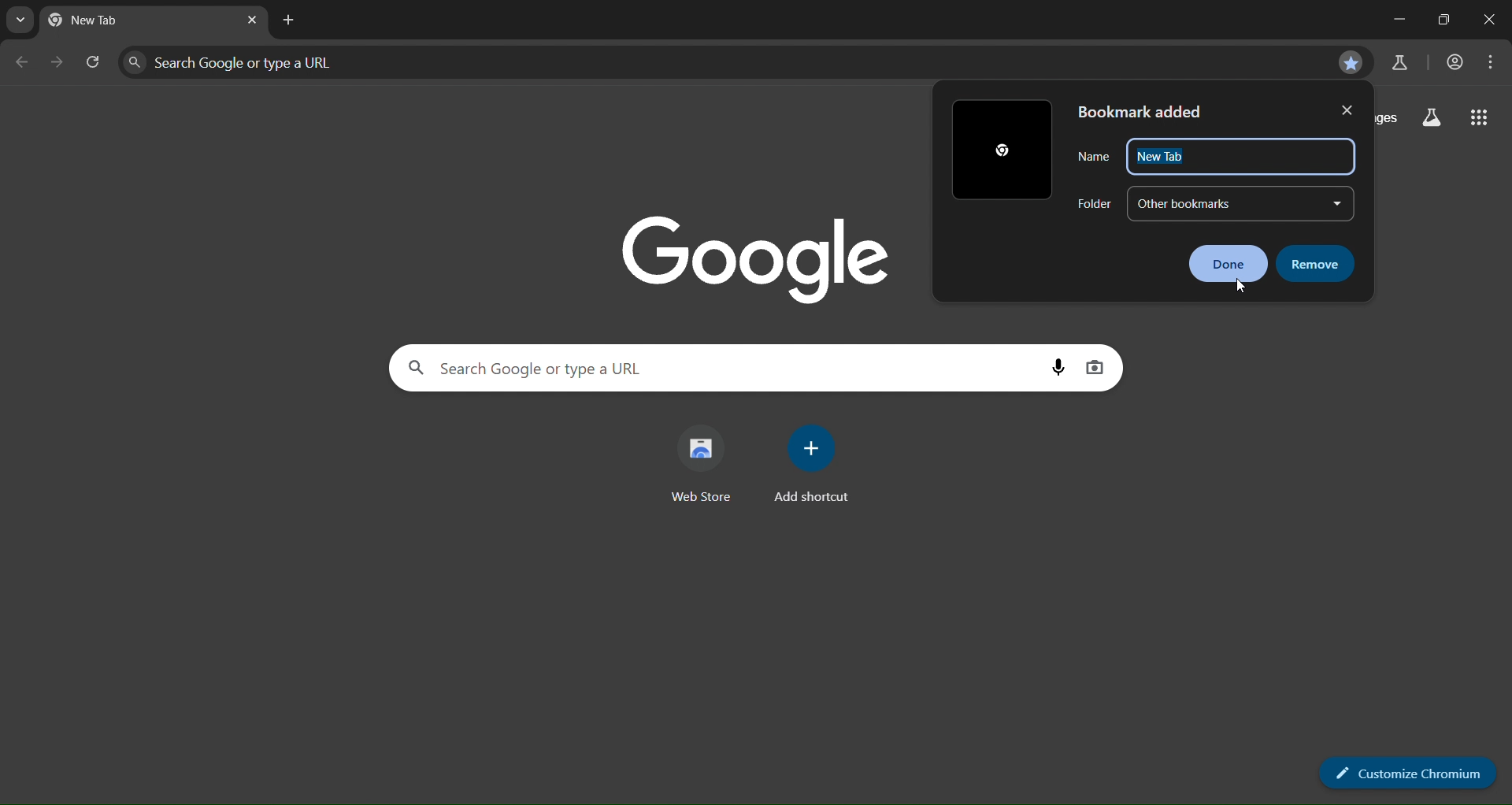 This screenshot has width=1512, height=805. Describe the element at coordinates (1241, 157) in the screenshot. I see `NewTab` at that location.